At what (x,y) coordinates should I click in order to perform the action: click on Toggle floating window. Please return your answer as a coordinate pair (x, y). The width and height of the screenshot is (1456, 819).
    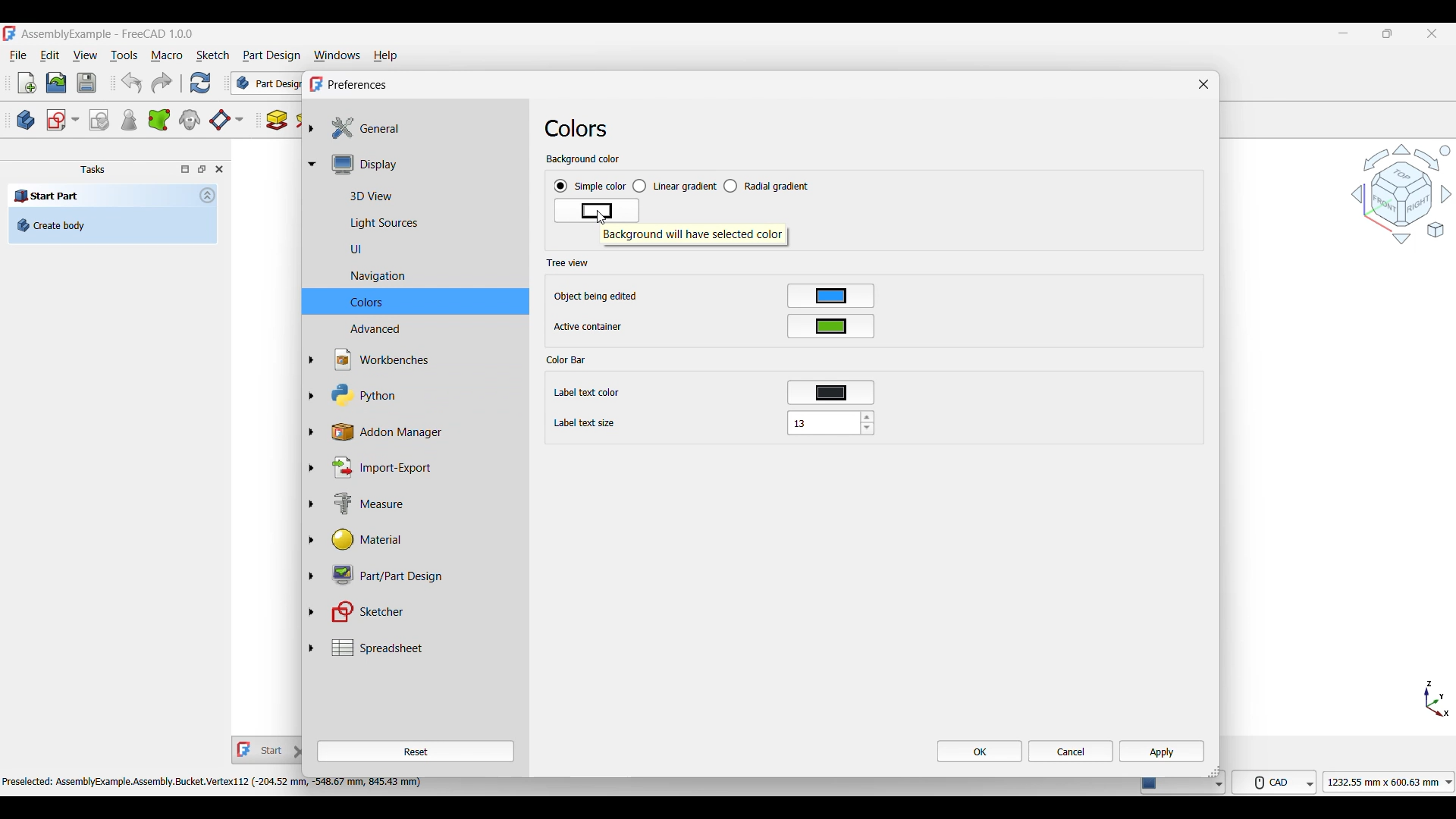
    Looking at the image, I should click on (202, 168).